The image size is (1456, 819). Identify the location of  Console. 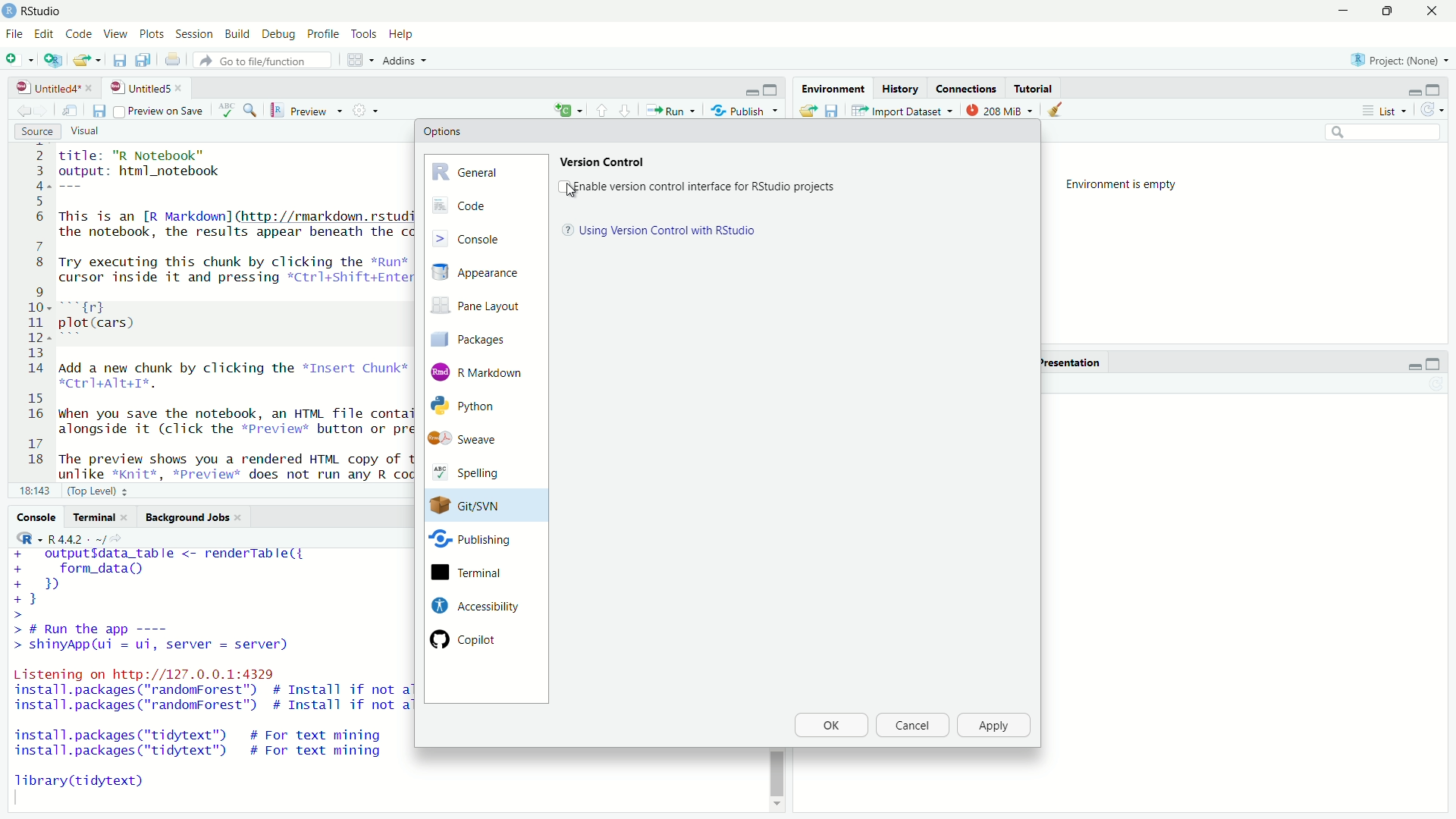
(485, 237).